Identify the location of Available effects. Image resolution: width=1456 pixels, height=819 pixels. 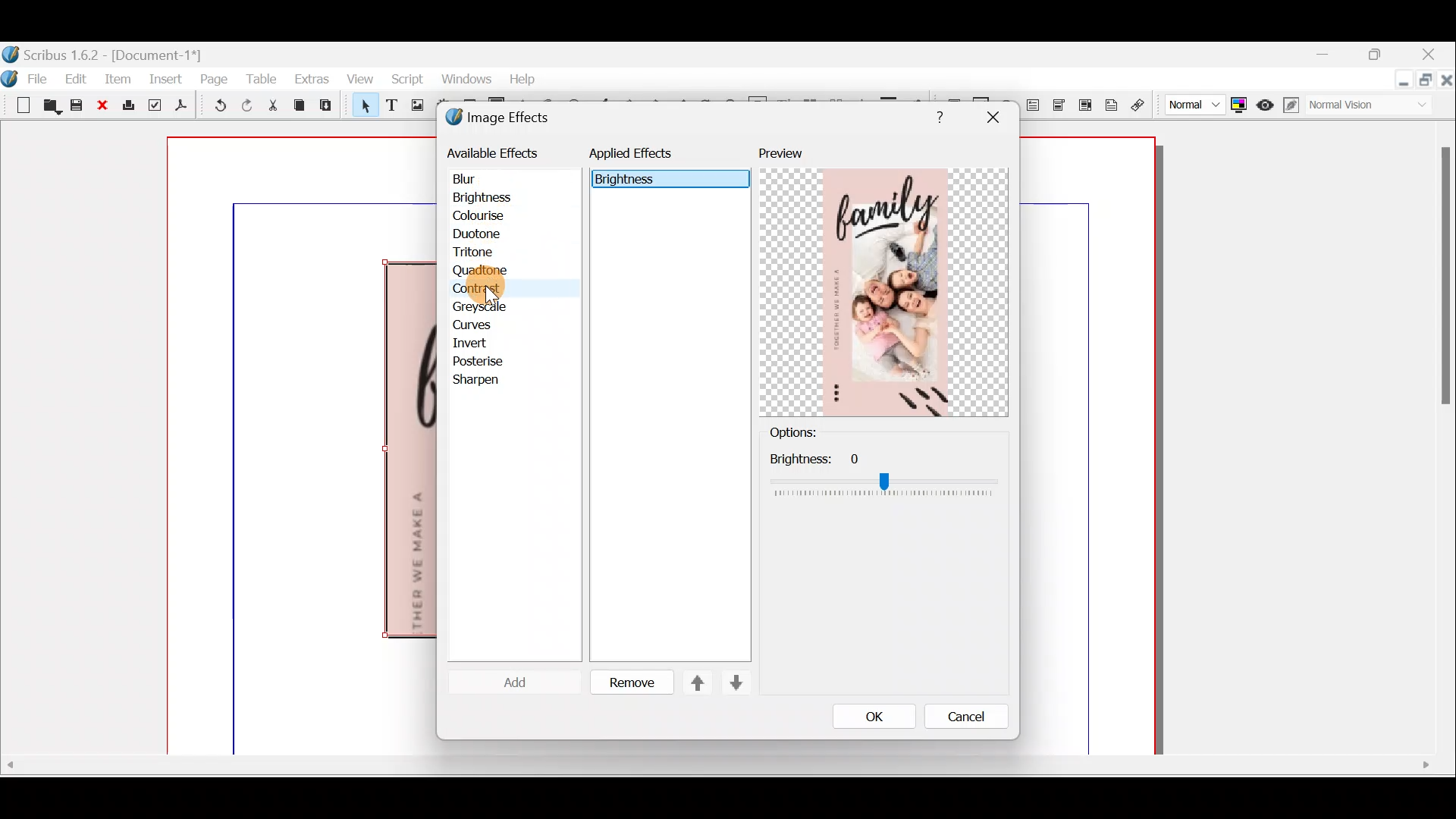
(495, 152).